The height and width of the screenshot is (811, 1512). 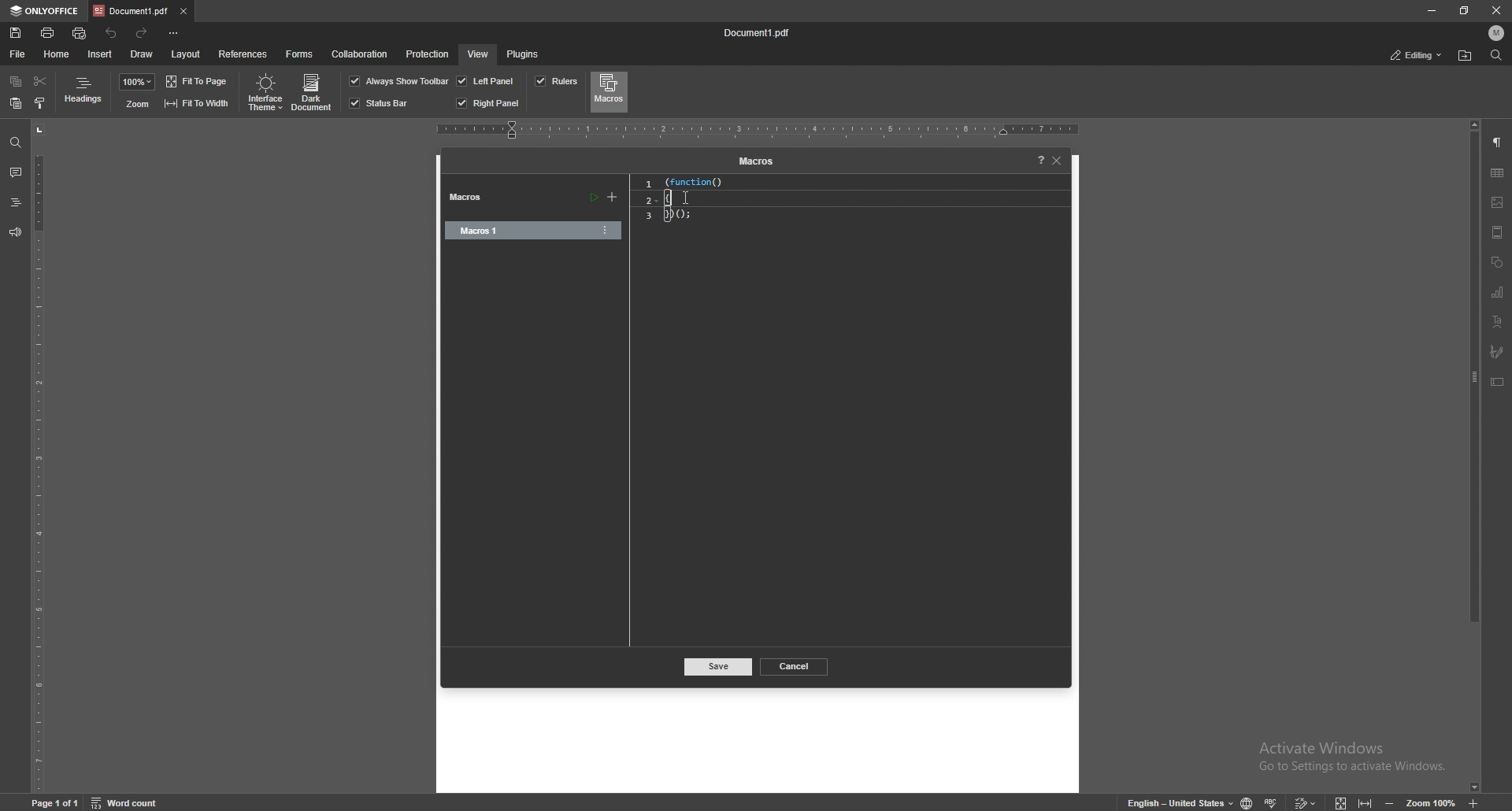 I want to click on change doc language, so click(x=1247, y=802).